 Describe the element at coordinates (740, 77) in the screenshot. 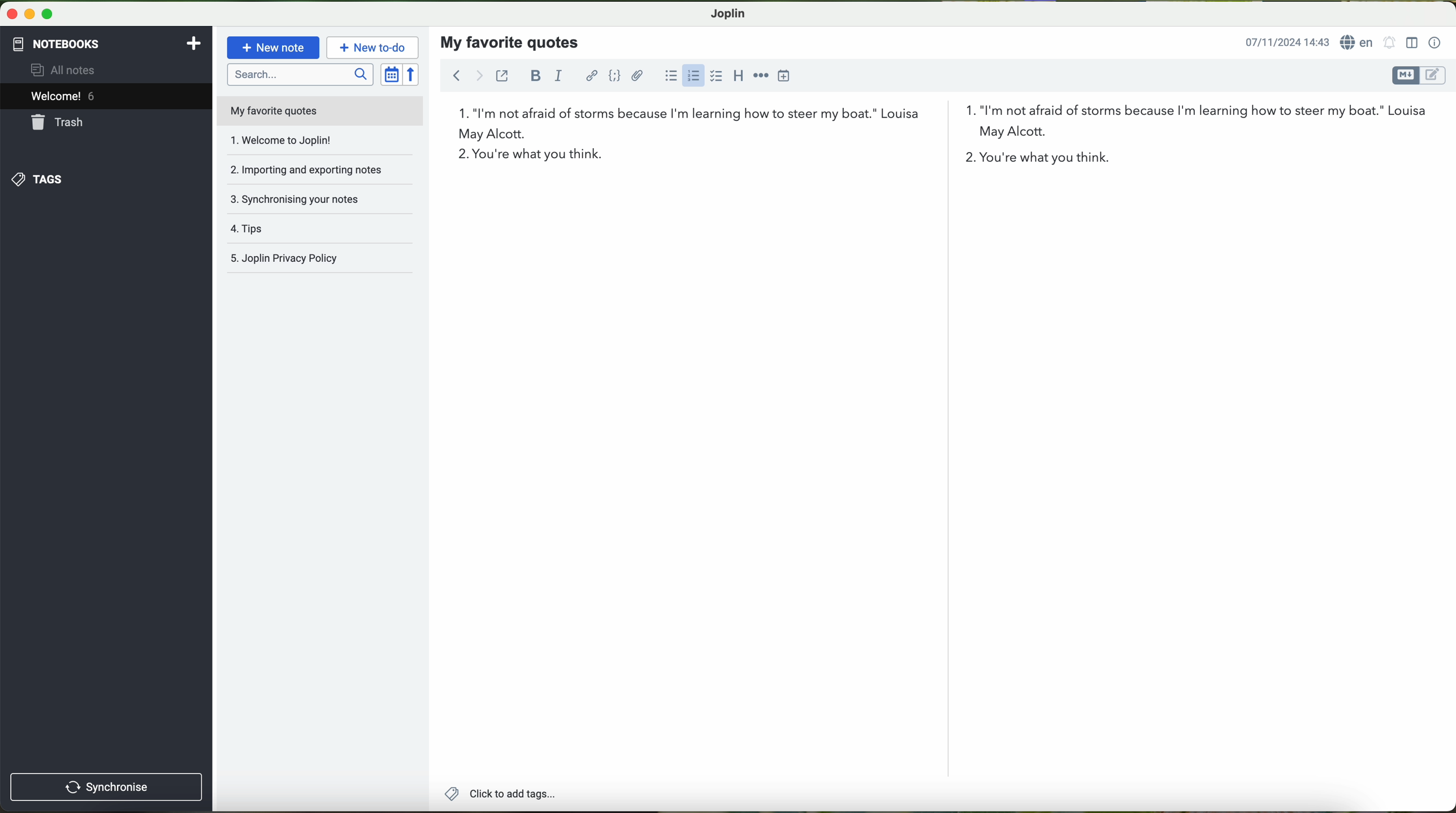

I see `heading` at that location.